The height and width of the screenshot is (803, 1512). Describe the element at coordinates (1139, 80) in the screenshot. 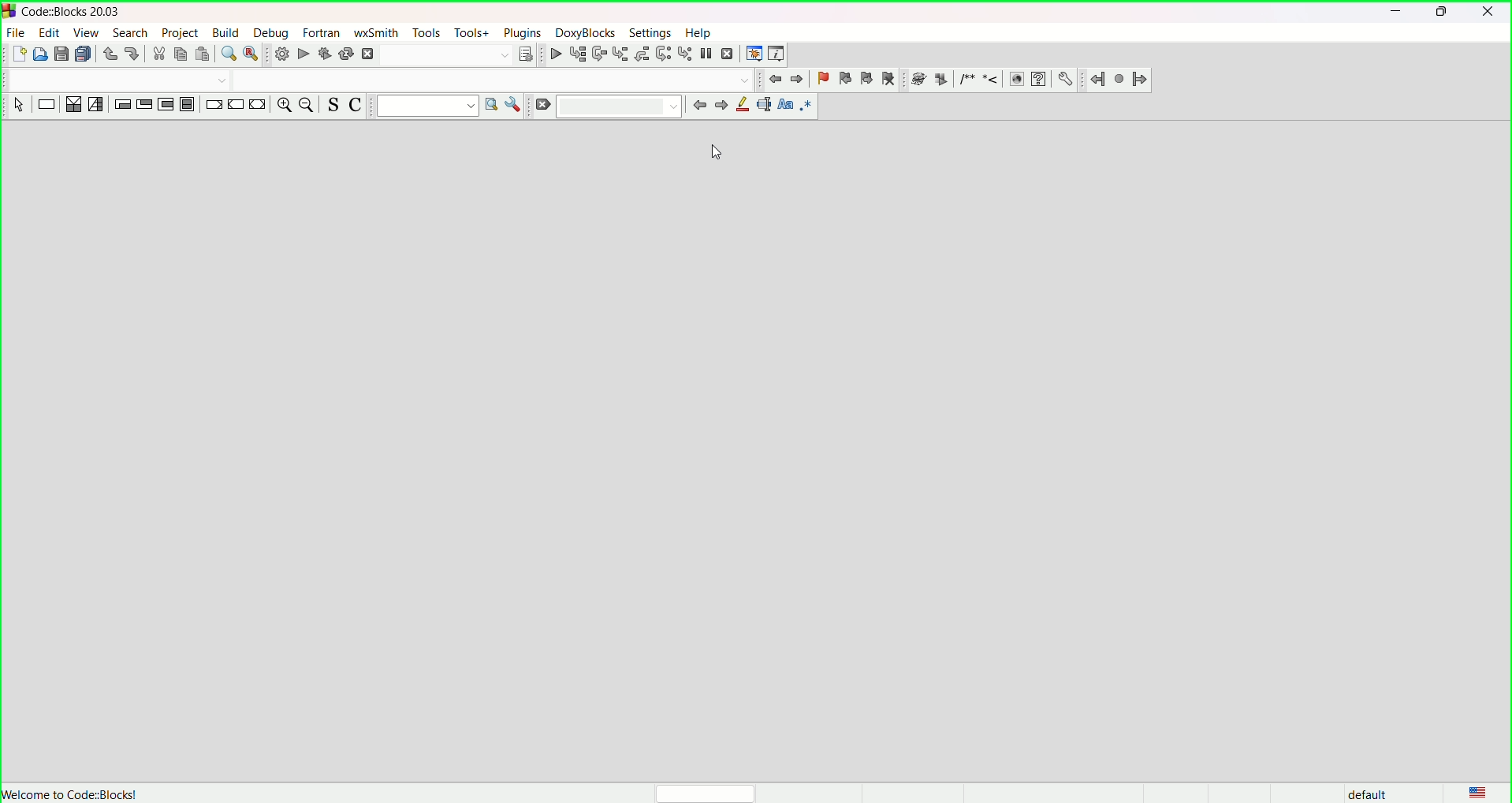

I see `jump forward` at that location.